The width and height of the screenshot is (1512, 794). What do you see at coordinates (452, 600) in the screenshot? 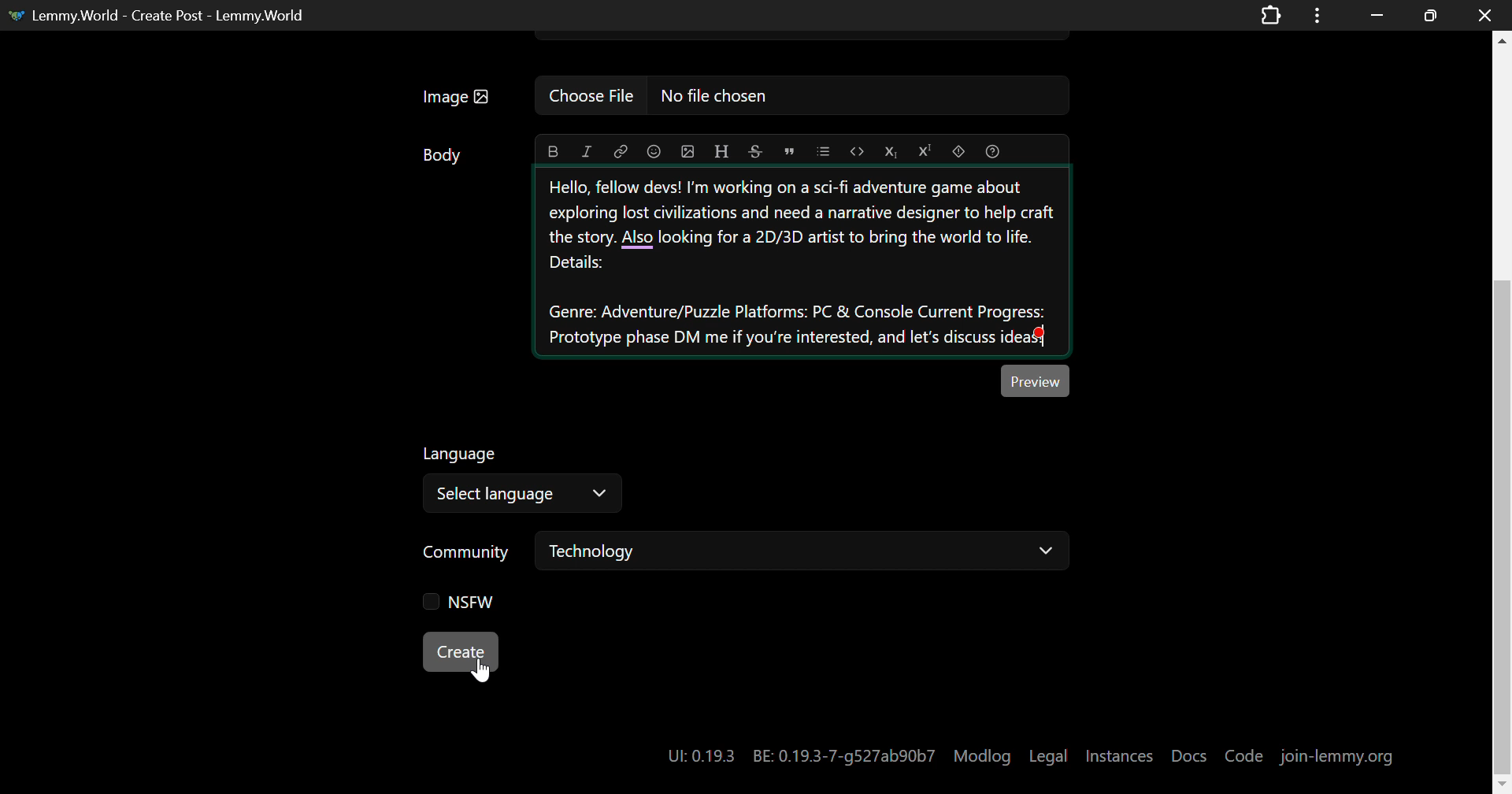
I see `NSFW` at bounding box center [452, 600].